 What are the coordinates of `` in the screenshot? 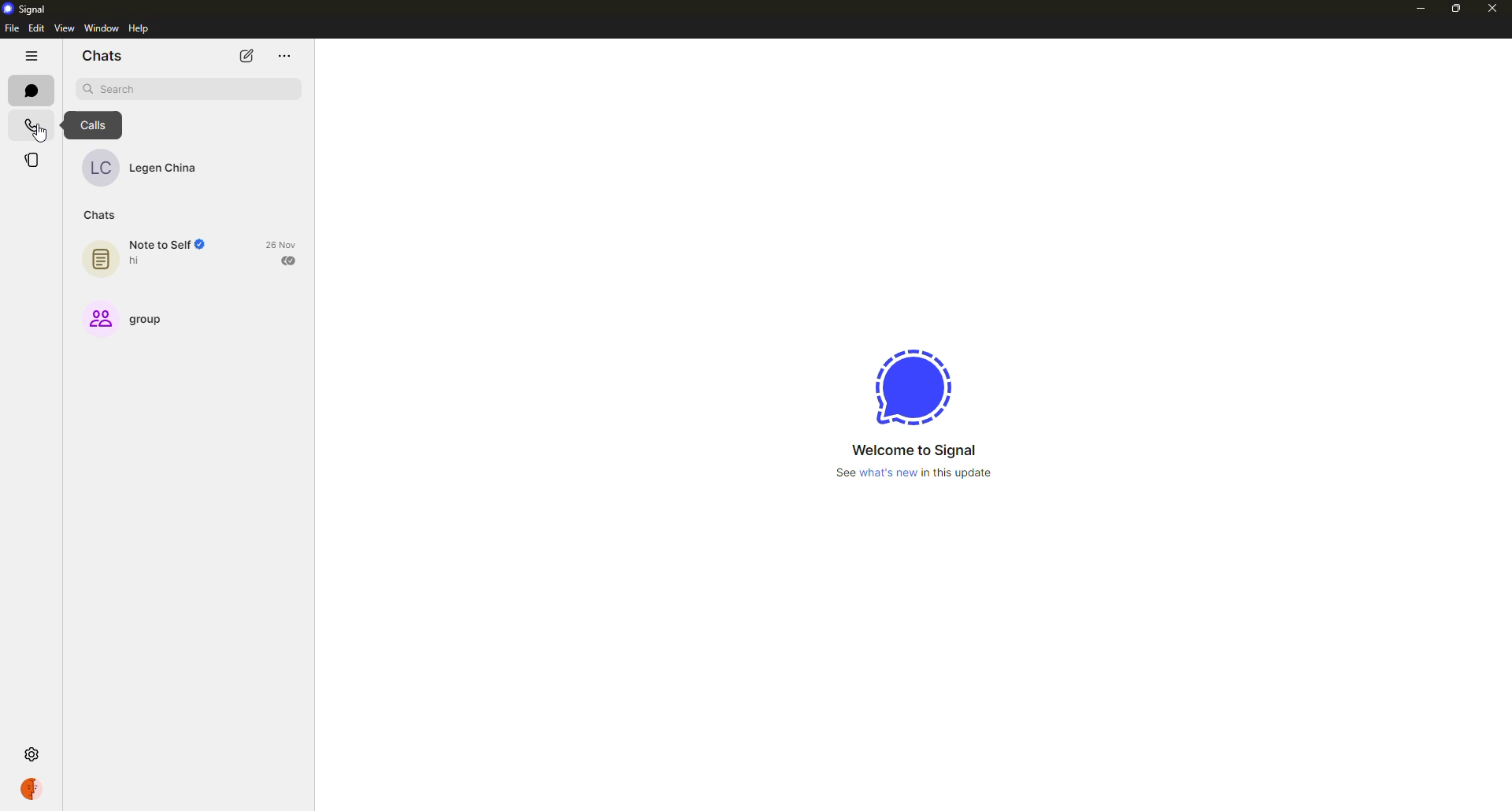 It's located at (1414, 8).